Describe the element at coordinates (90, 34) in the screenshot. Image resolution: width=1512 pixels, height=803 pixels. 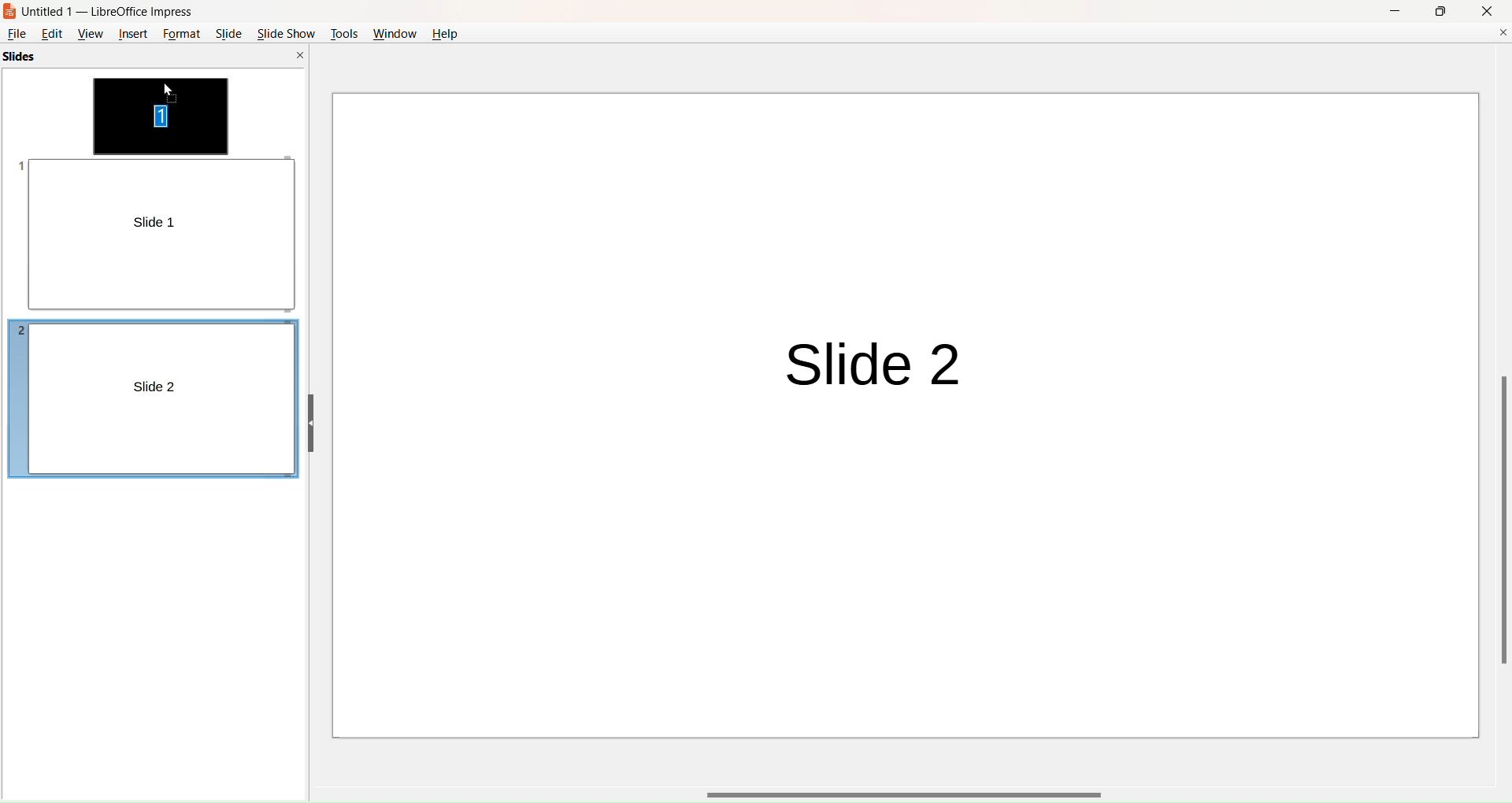
I see `view` at that location.